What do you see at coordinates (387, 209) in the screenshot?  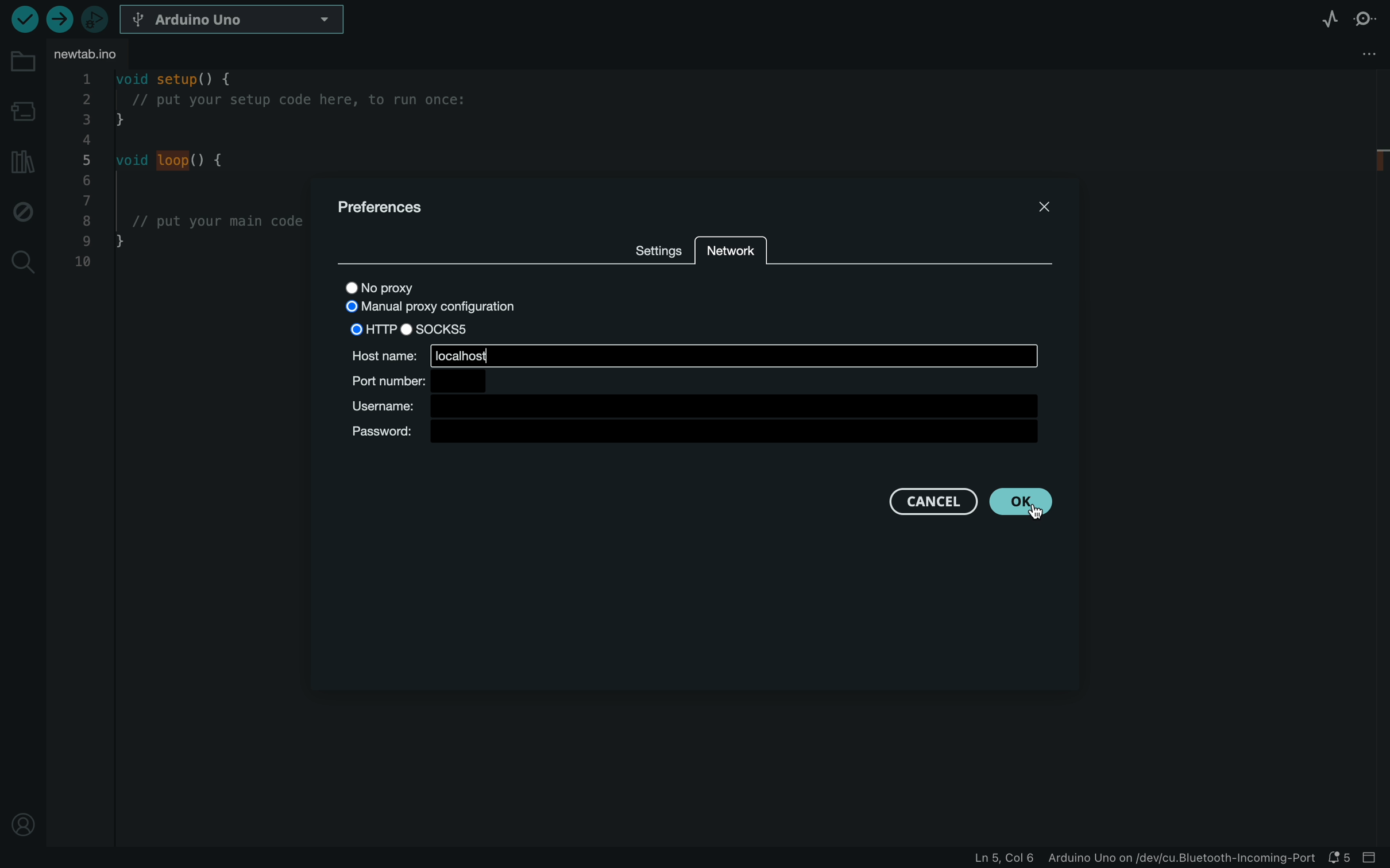 I see `prefernces` at bounding box center [387, 209].